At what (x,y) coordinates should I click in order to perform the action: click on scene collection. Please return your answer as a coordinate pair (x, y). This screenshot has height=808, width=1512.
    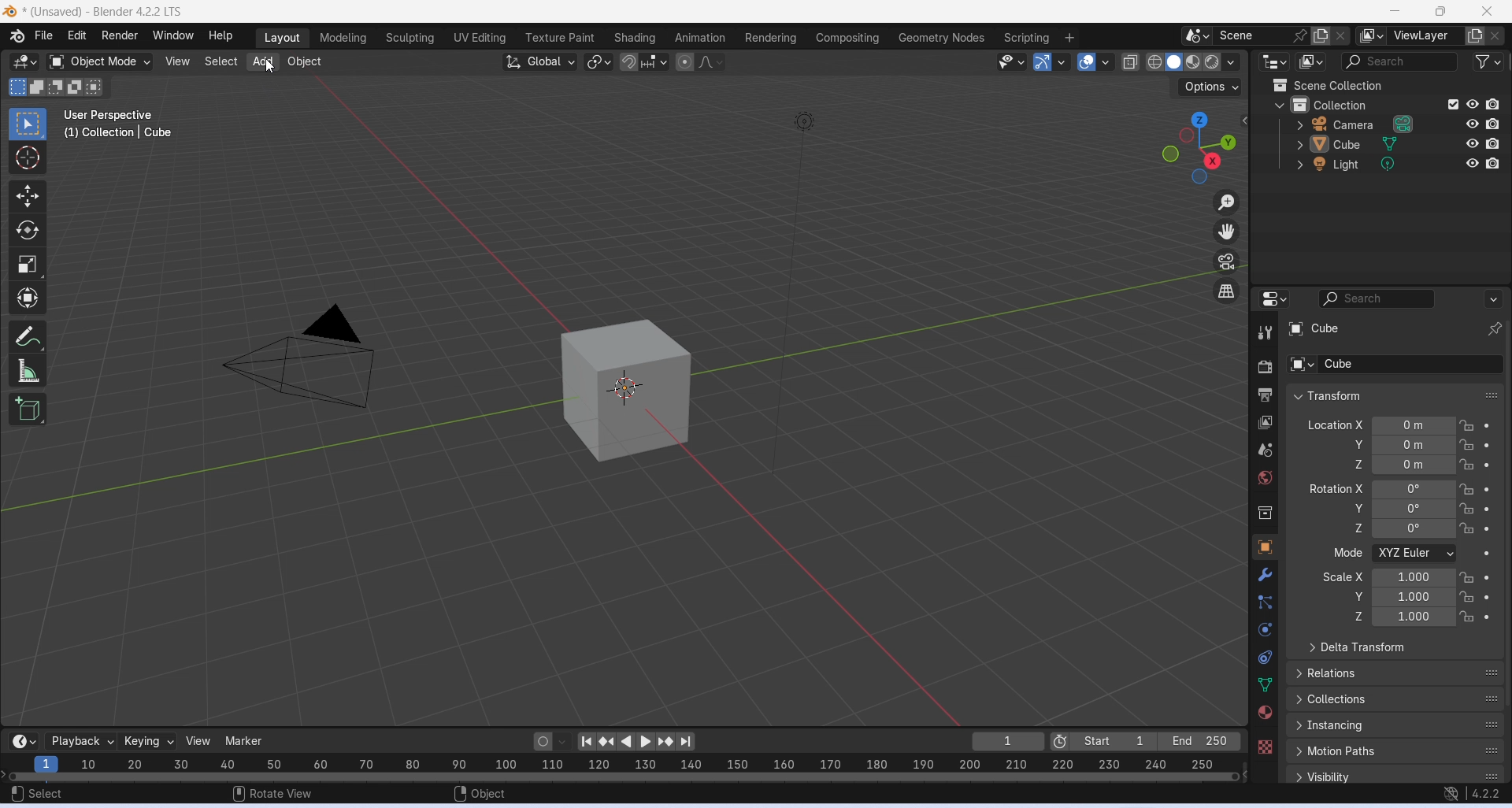
    Looking at the image, I should click on (1363, 85).